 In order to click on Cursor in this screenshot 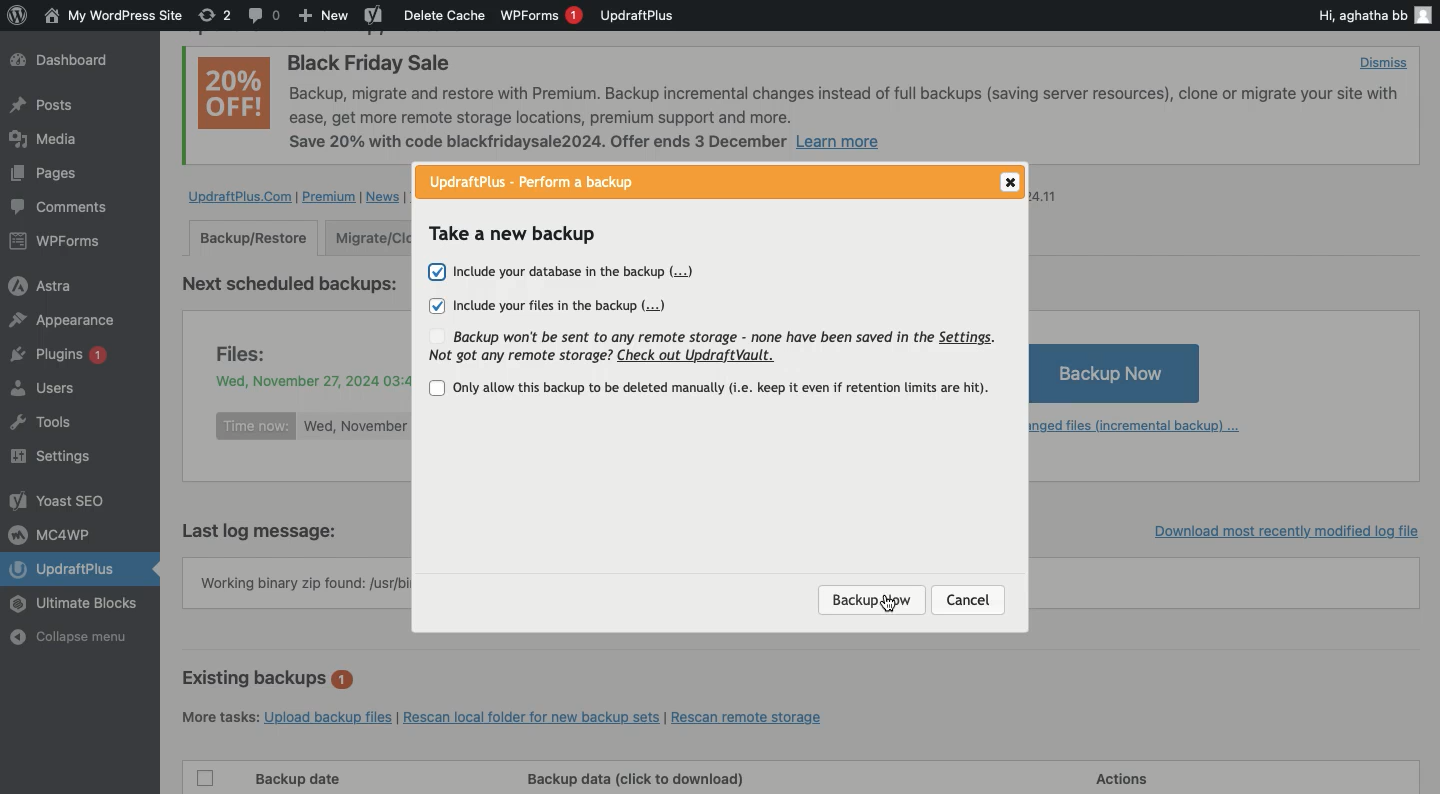, I will do `click(886, 604)`.